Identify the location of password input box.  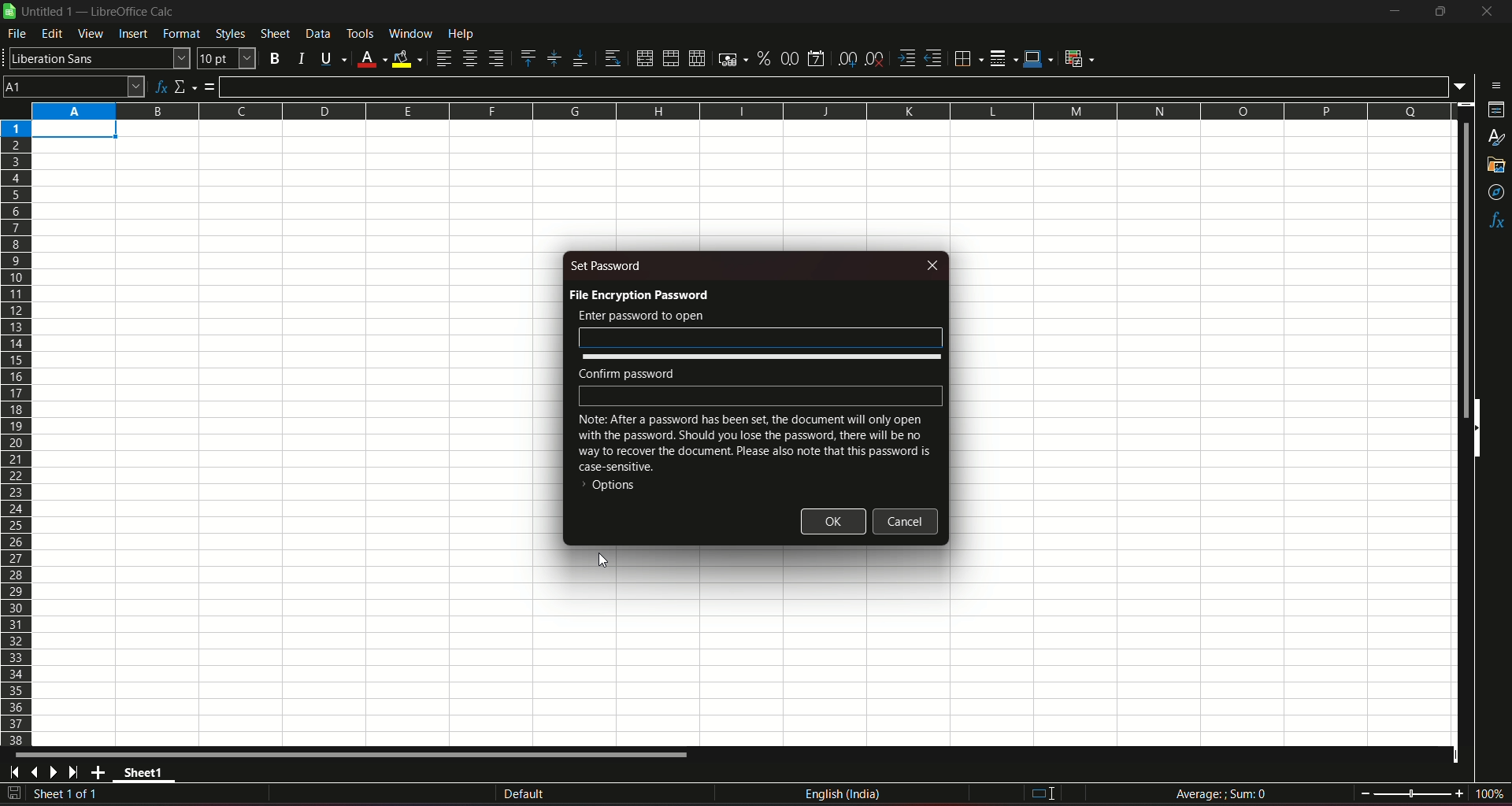
(761, 338).